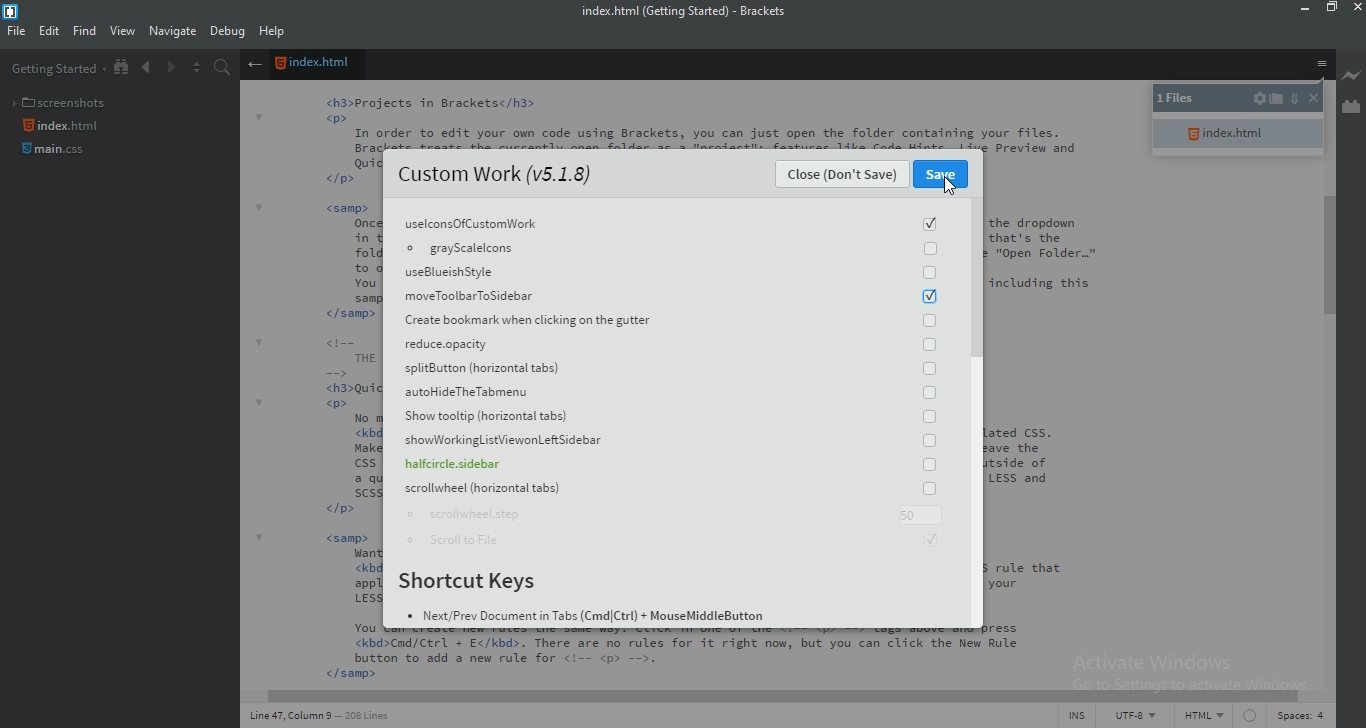 The width and height of the screenshot is (1366, 728). What do you see at coordinates (1259, 100) in the screenshot?
I see `settings` at bounding box center [1259, 100].